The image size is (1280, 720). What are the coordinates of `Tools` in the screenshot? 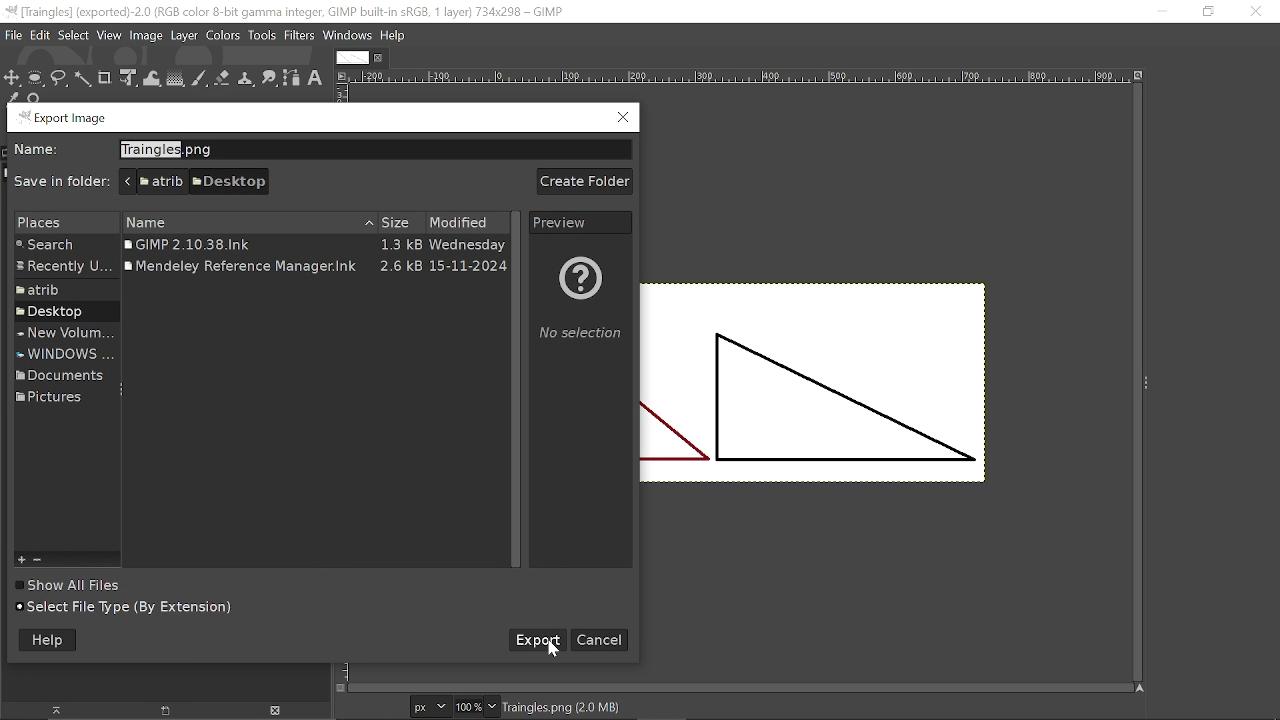 It's located at (263, 36).